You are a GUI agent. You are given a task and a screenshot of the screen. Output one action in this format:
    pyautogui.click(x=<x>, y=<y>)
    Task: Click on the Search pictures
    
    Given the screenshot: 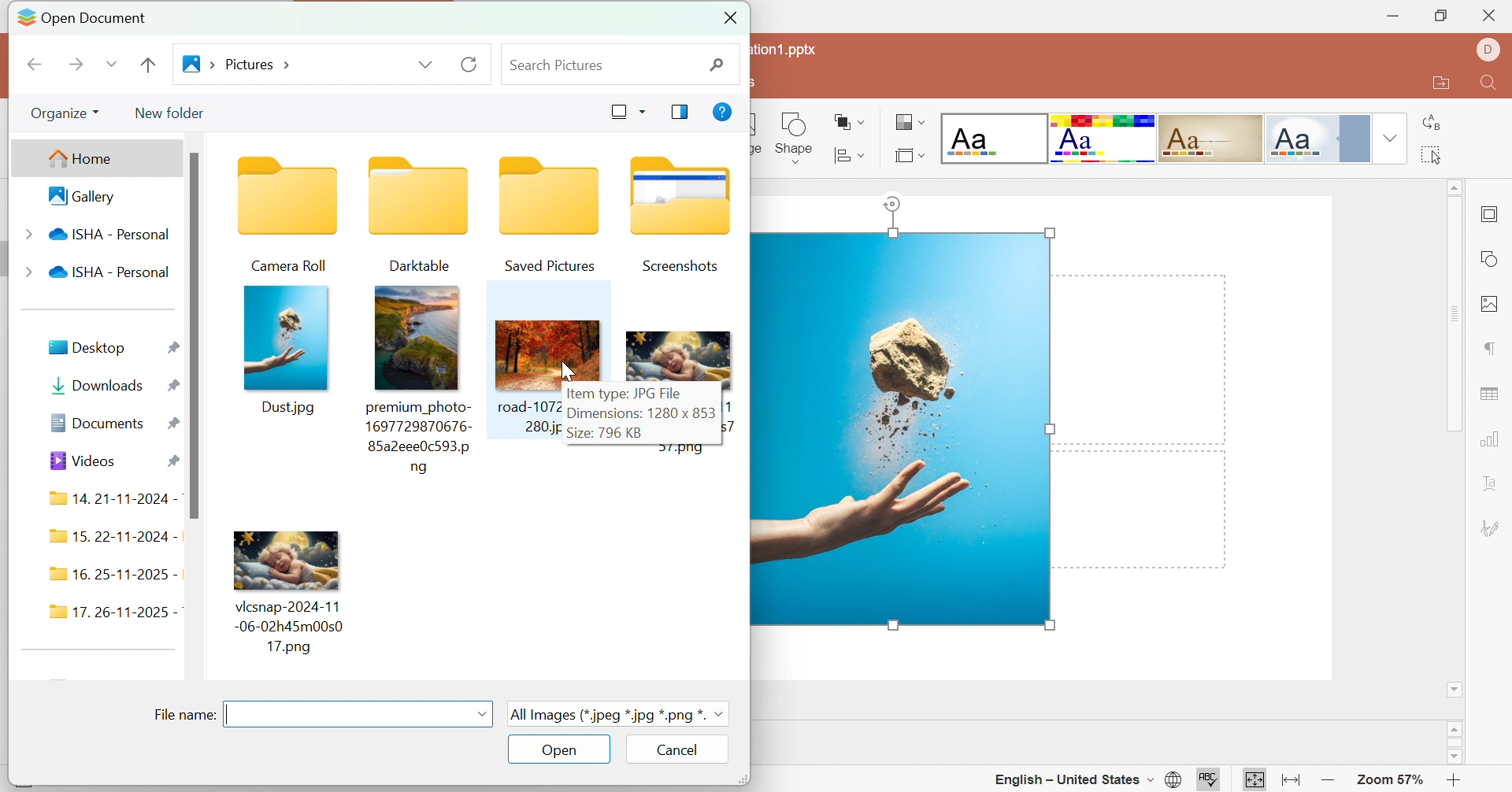 What is the action you would take?
    pyautogui.click(x=618, y=65)
    